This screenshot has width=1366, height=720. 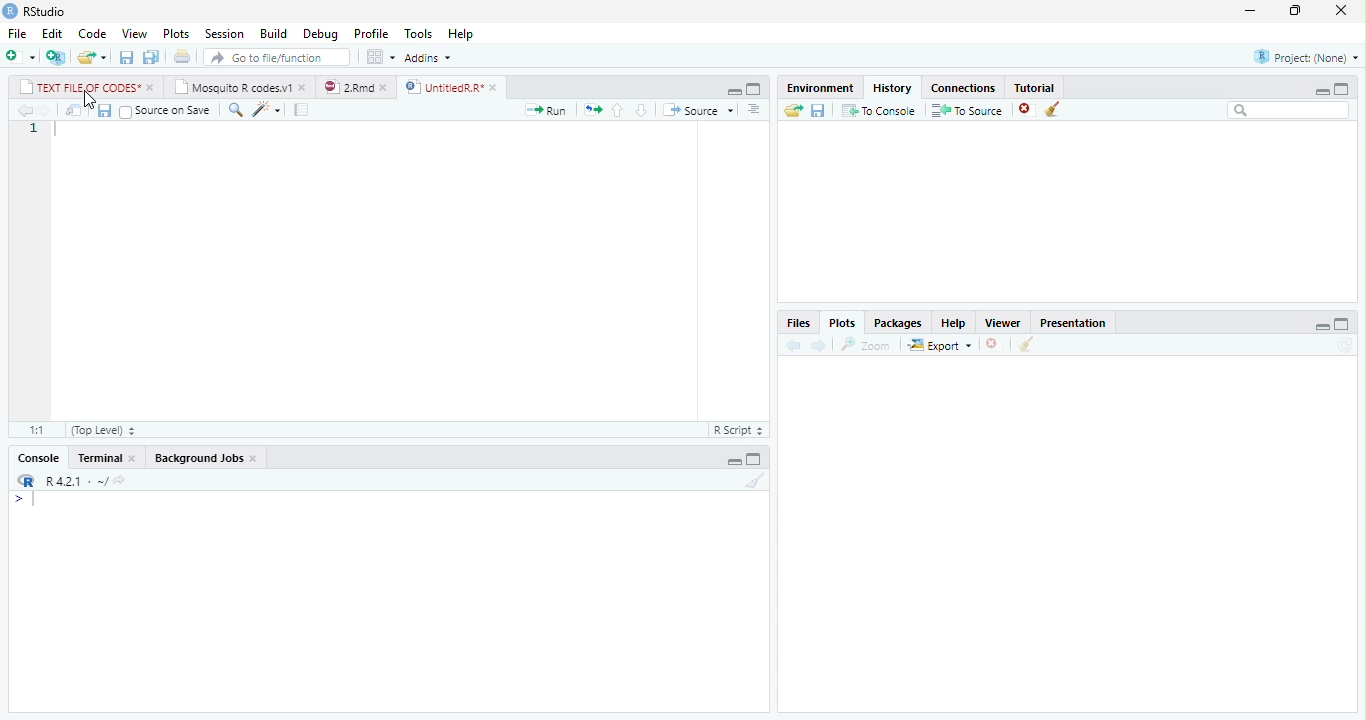 What do you see at coordinates (347, 87) in the screenshot?
I see `2.Rmd` at bounding box center [347, 87].